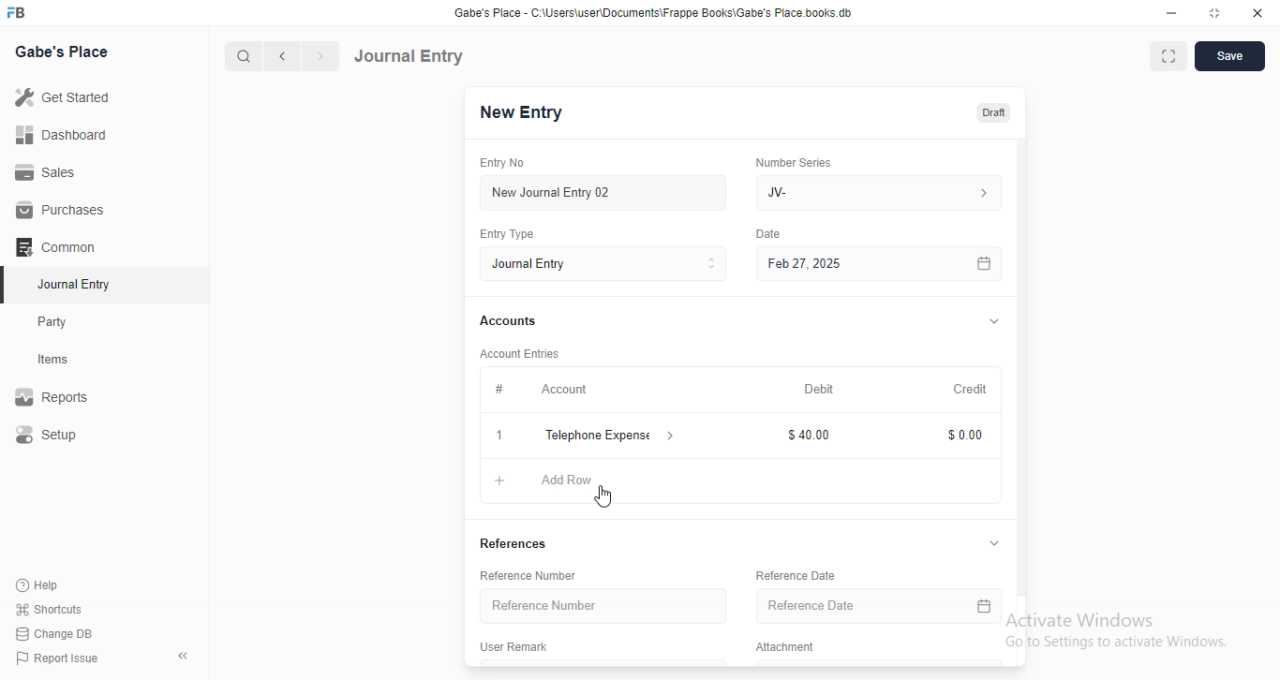 This screenshot has height=680, width=1280. I want to click on 40.00, so click(807, 435).